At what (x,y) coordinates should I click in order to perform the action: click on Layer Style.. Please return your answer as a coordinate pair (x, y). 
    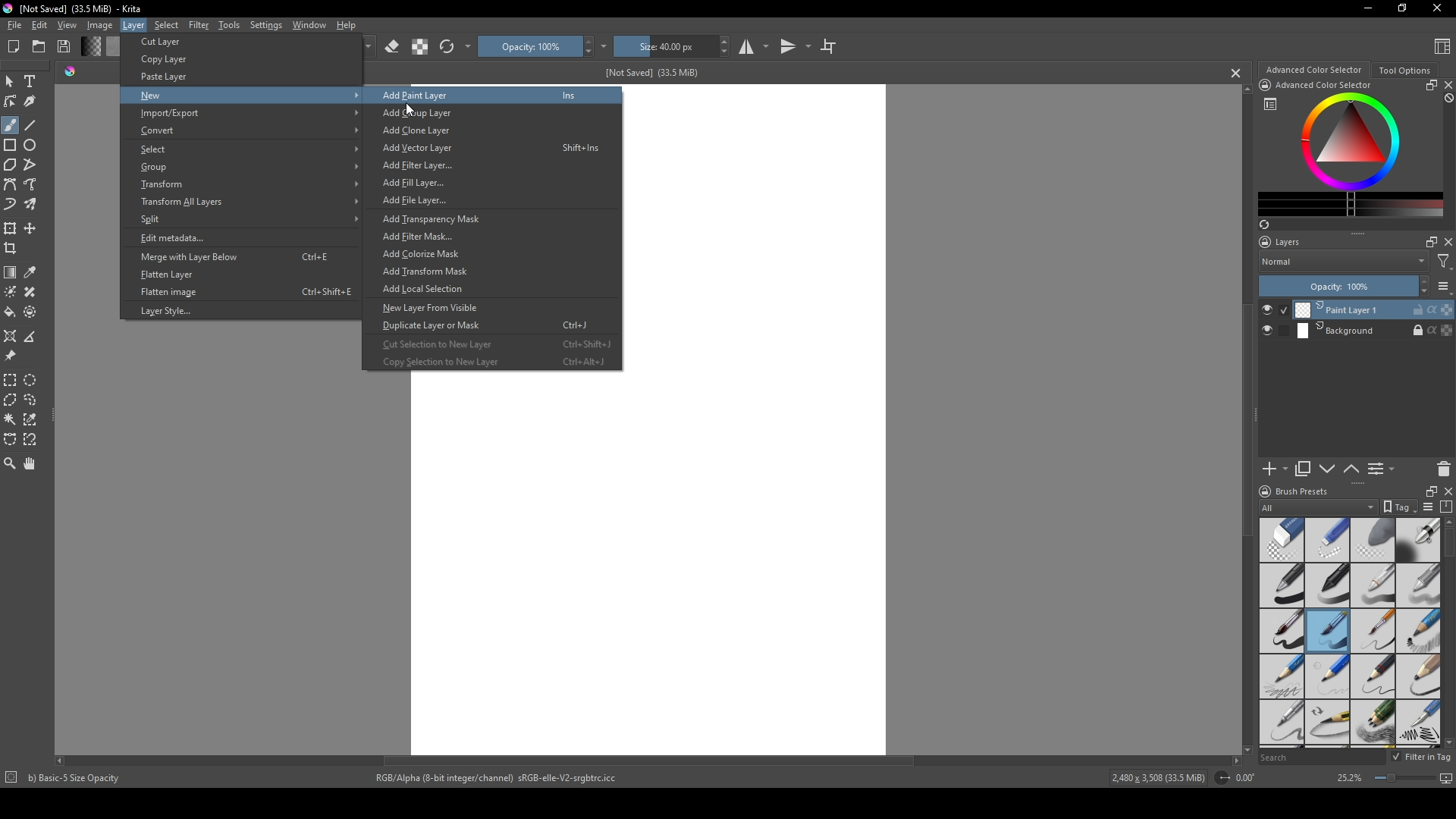
    Looking at the image, I should click on (171, 311).